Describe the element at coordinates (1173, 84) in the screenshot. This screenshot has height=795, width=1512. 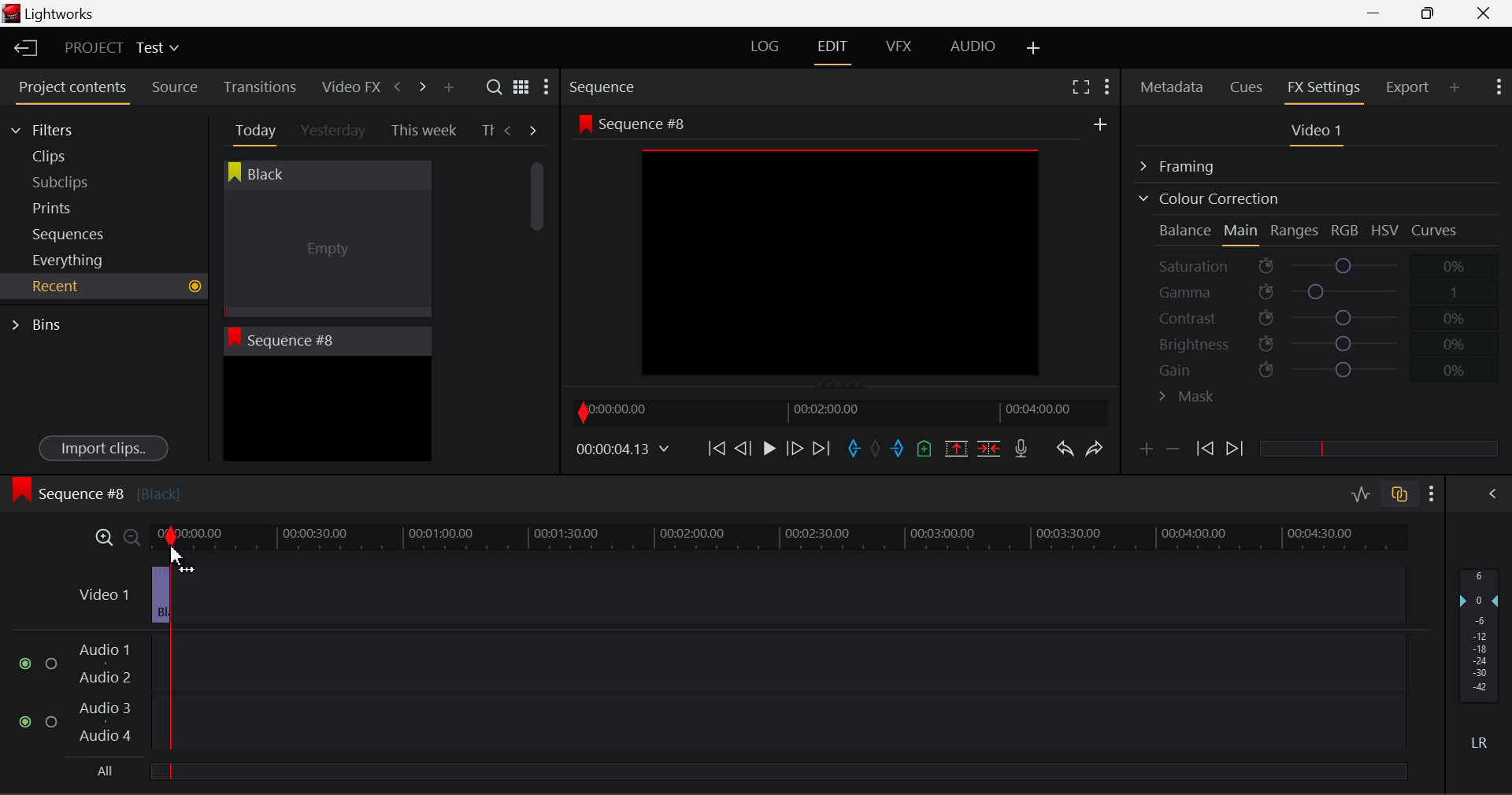
I see `Metadata Panel` at that location.